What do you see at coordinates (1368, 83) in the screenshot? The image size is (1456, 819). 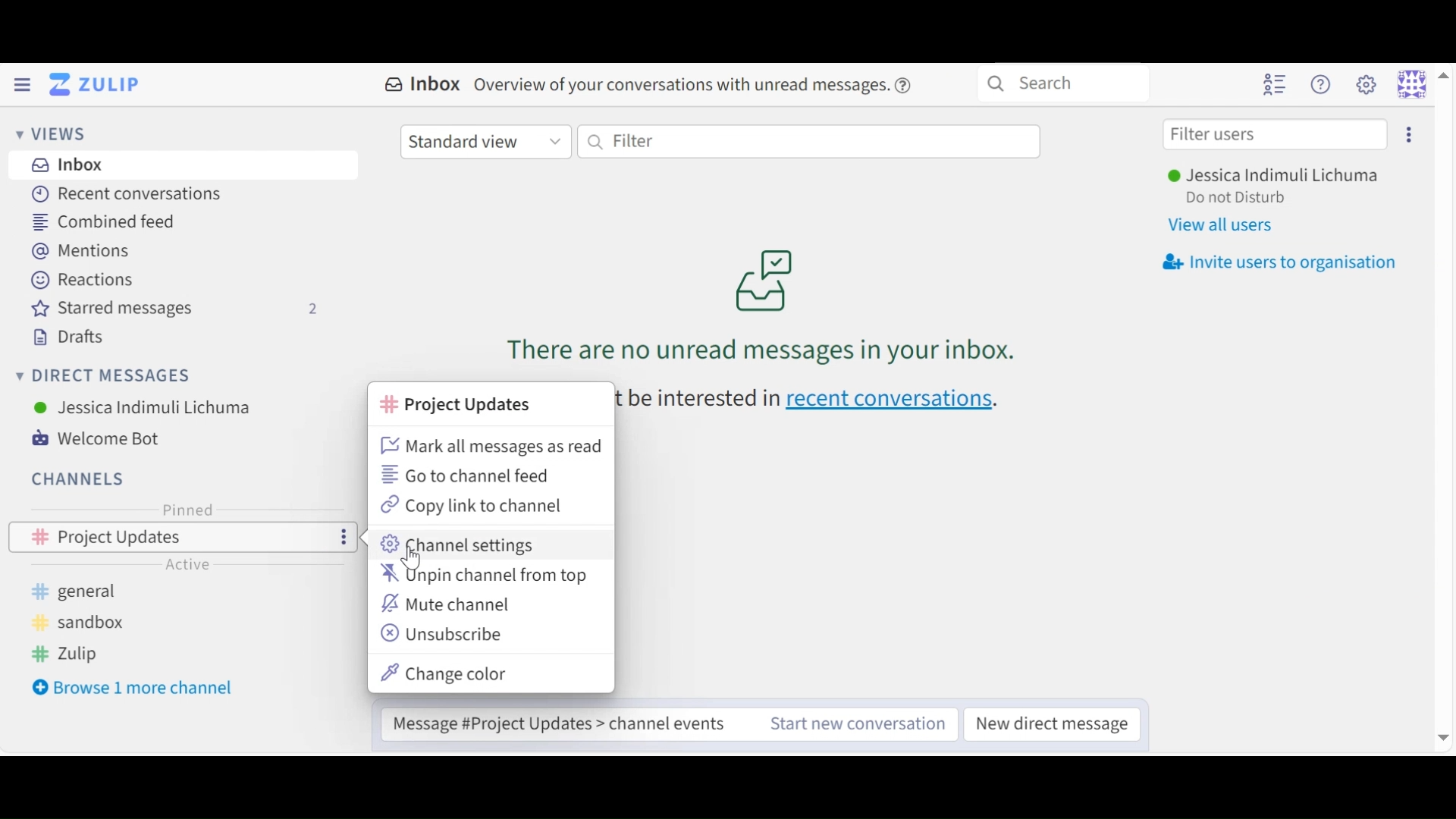 I see `Main menu` at bounding box center [1368, 83].